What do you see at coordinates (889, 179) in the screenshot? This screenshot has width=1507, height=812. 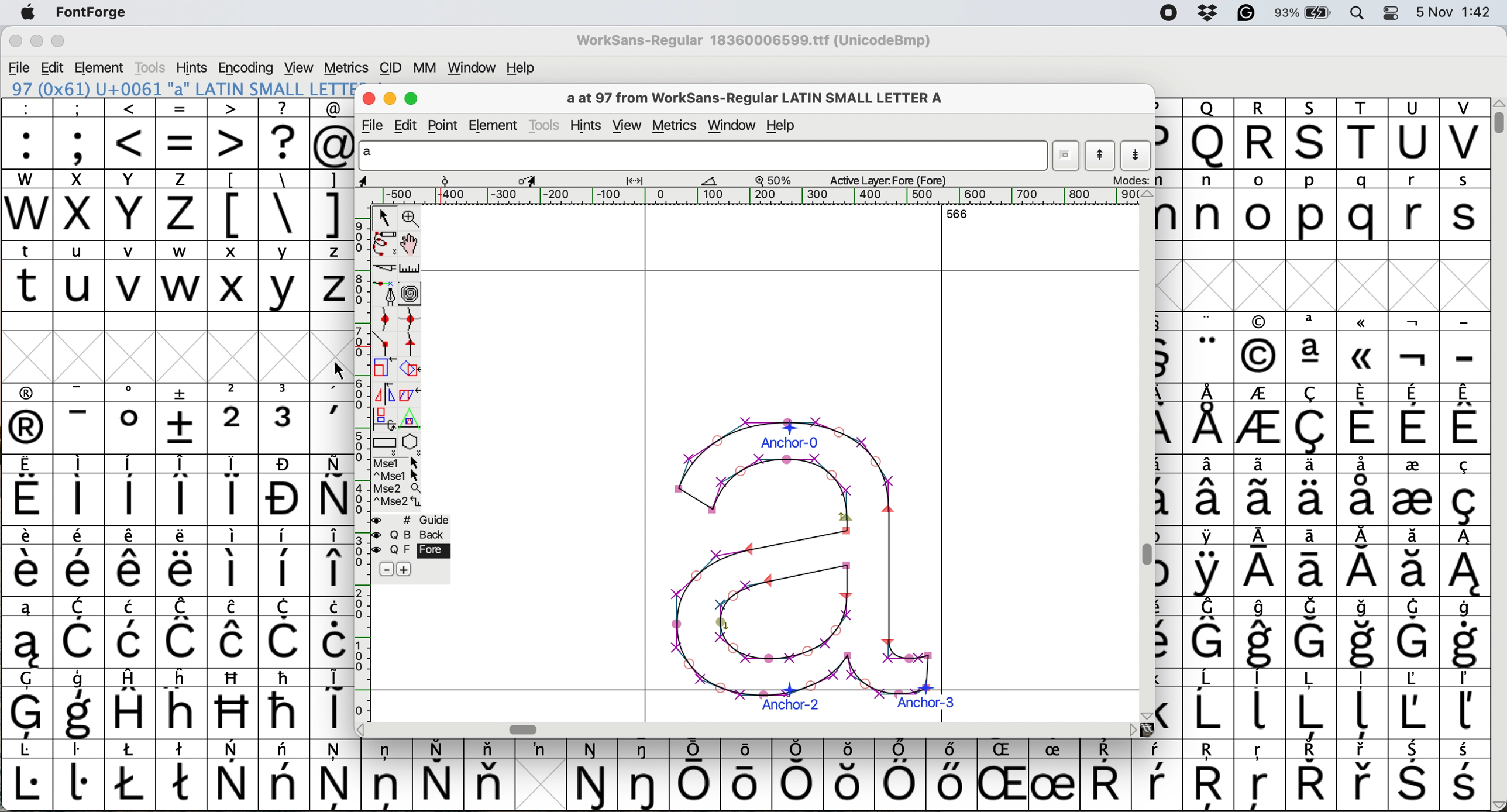 I see `active layer` at bounding box center [889, 179].